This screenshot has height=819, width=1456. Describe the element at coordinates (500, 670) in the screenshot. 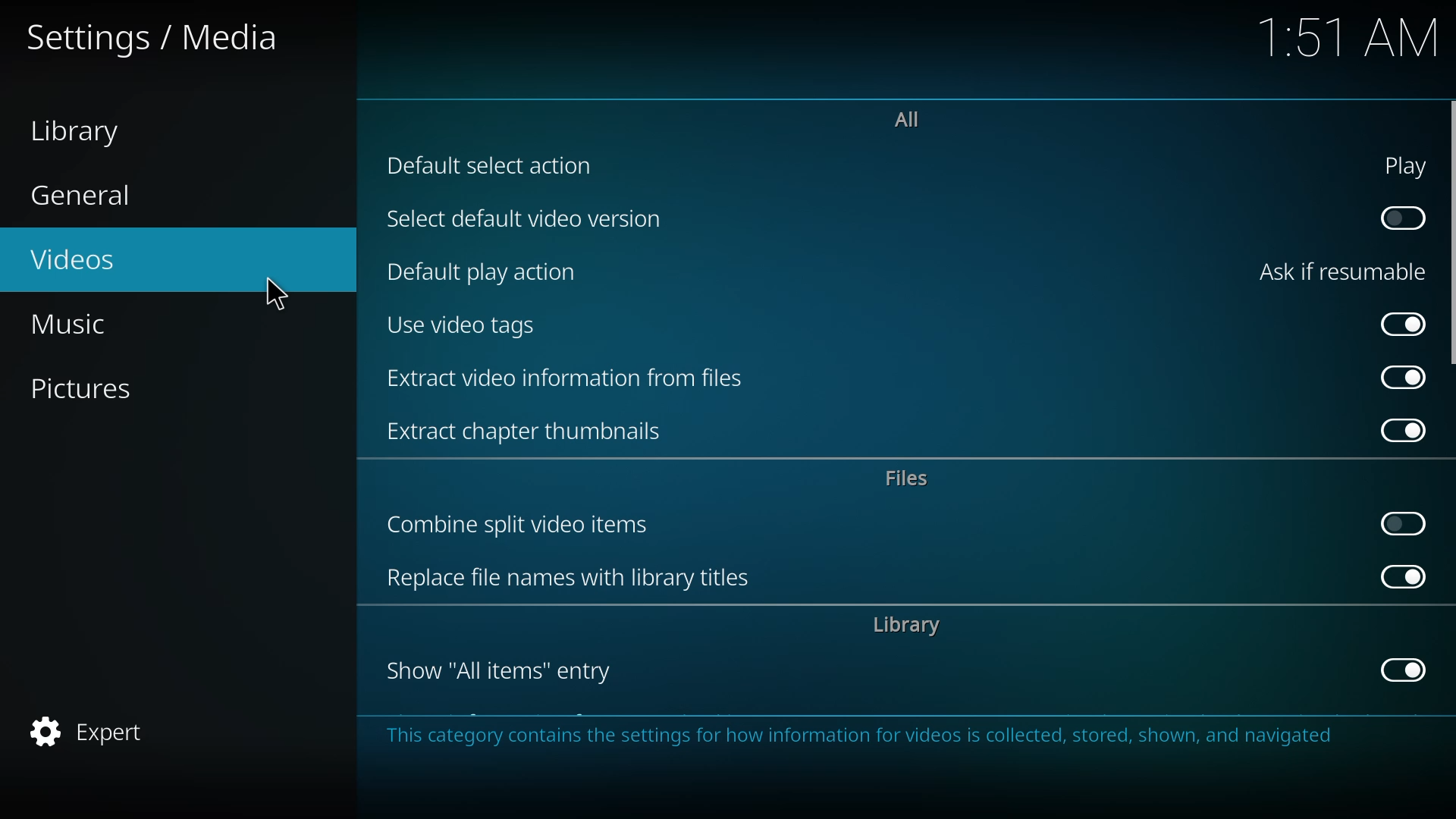

I see `show all items entry` at that location.